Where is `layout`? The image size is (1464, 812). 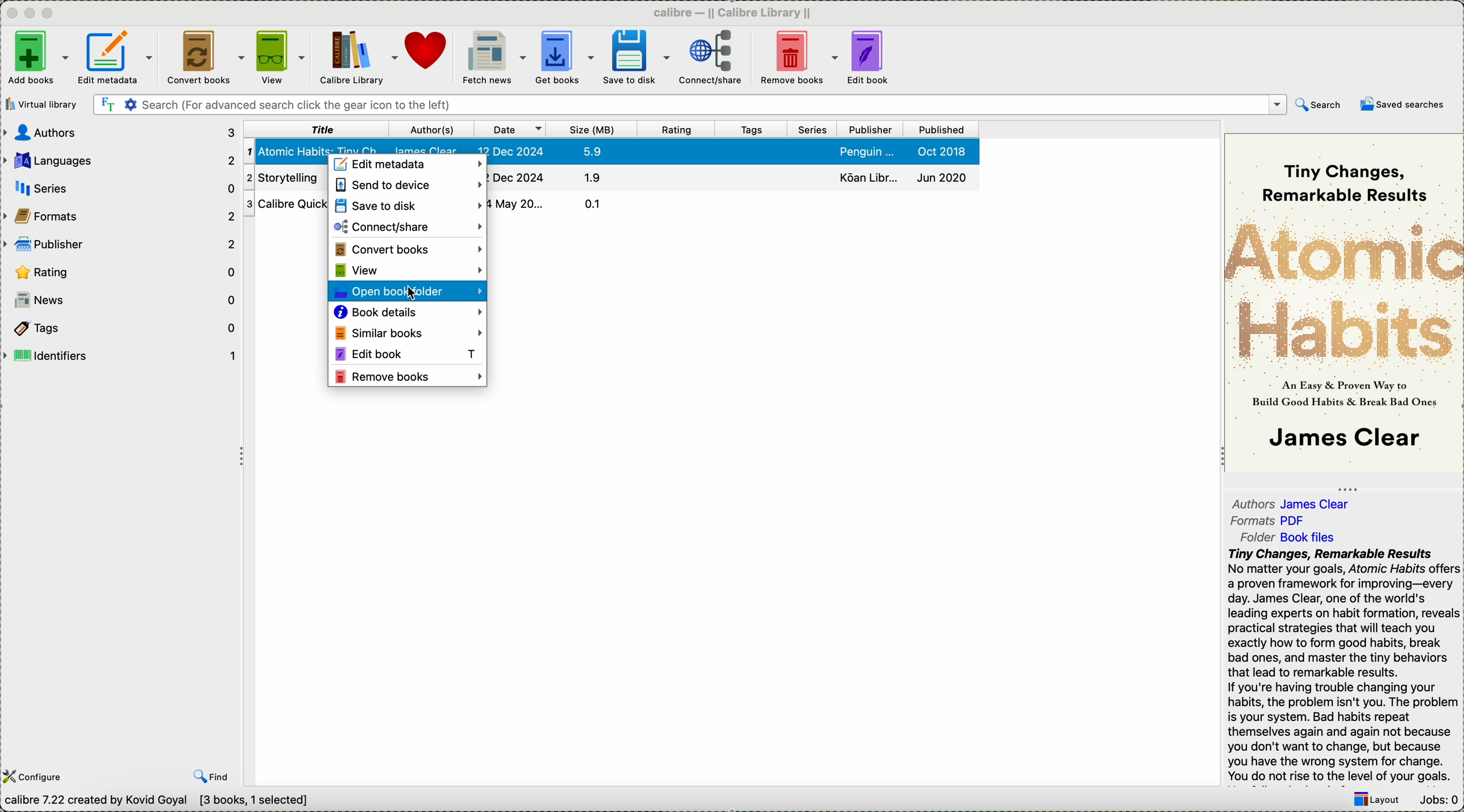
layout is located at coordinates (1375, 801).